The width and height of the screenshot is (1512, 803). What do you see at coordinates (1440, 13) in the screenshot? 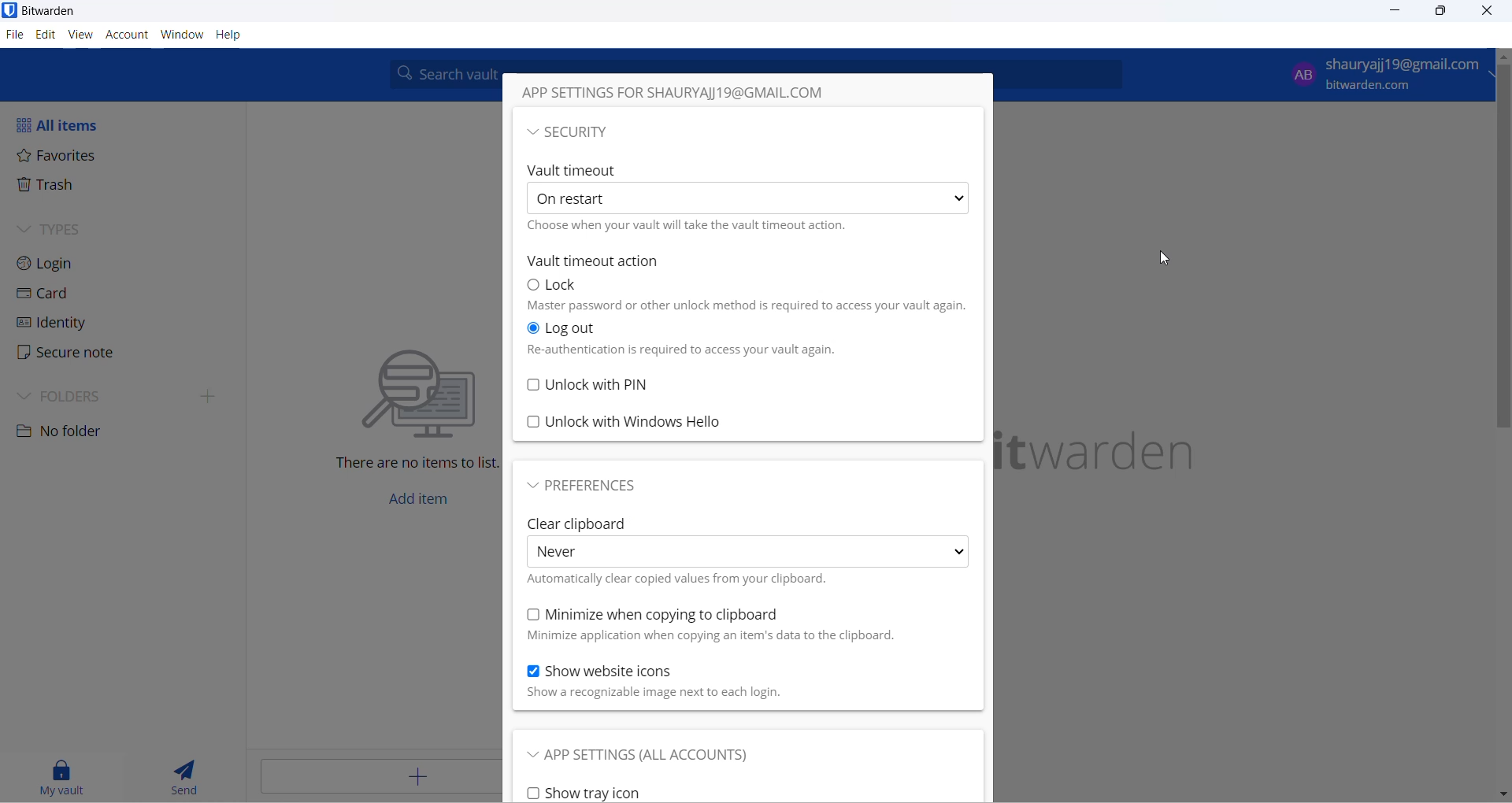
I see `maximize` at bounding box center [1440, 13].